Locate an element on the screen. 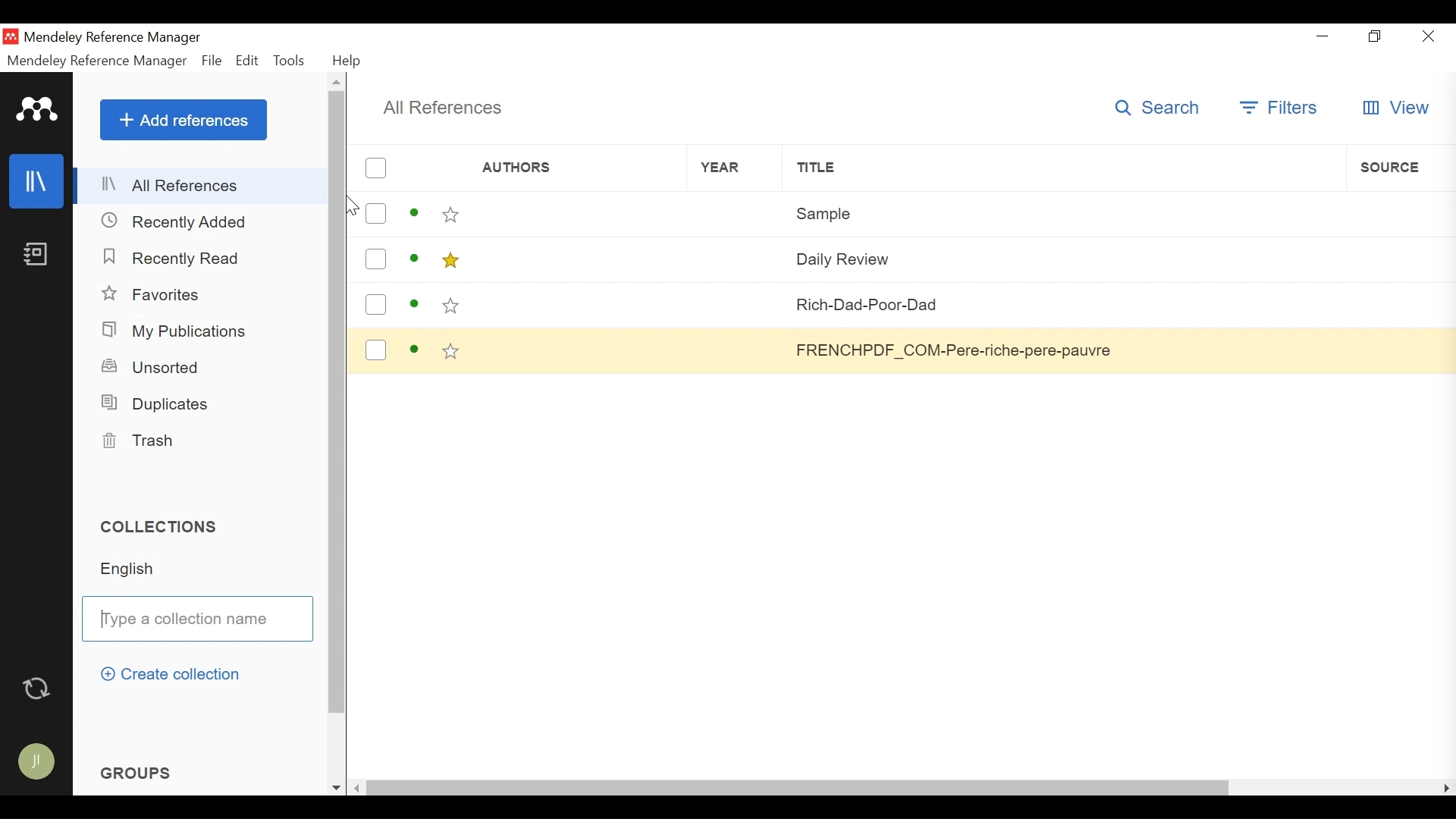 This screenshot has height=819, width=1456. Year is located at coordinates (736, 304).